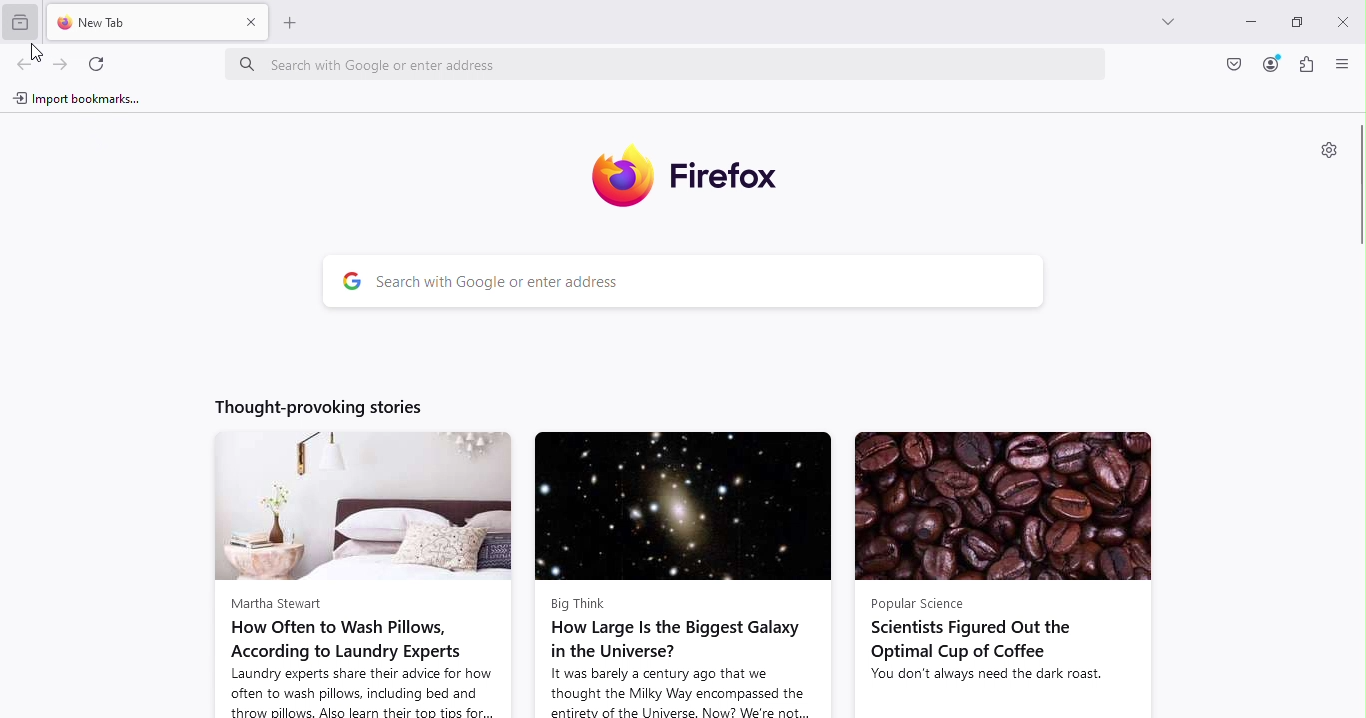  What do you see at coordinates (1163, 22) in the screenshot?
I see `List all tabs` at bounding box center [1163, 22].